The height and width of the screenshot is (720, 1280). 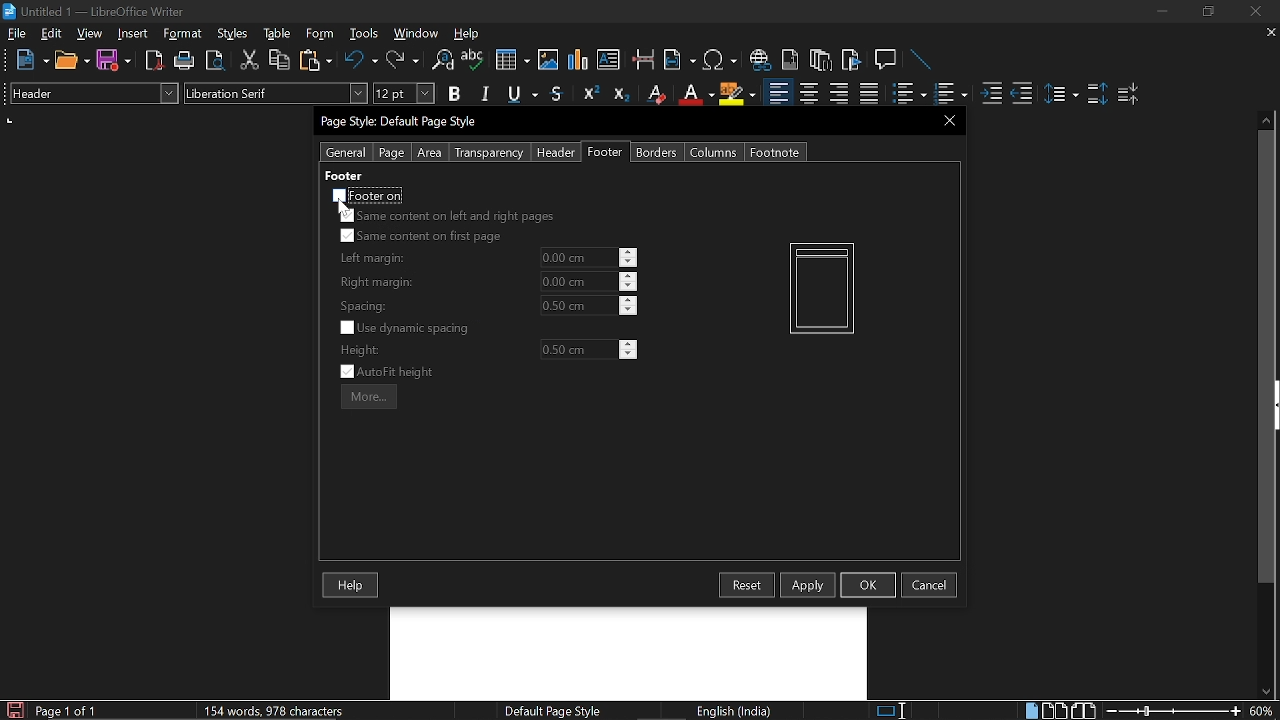 I want to click on Toggle unordered list, so click(x=949, y=94).